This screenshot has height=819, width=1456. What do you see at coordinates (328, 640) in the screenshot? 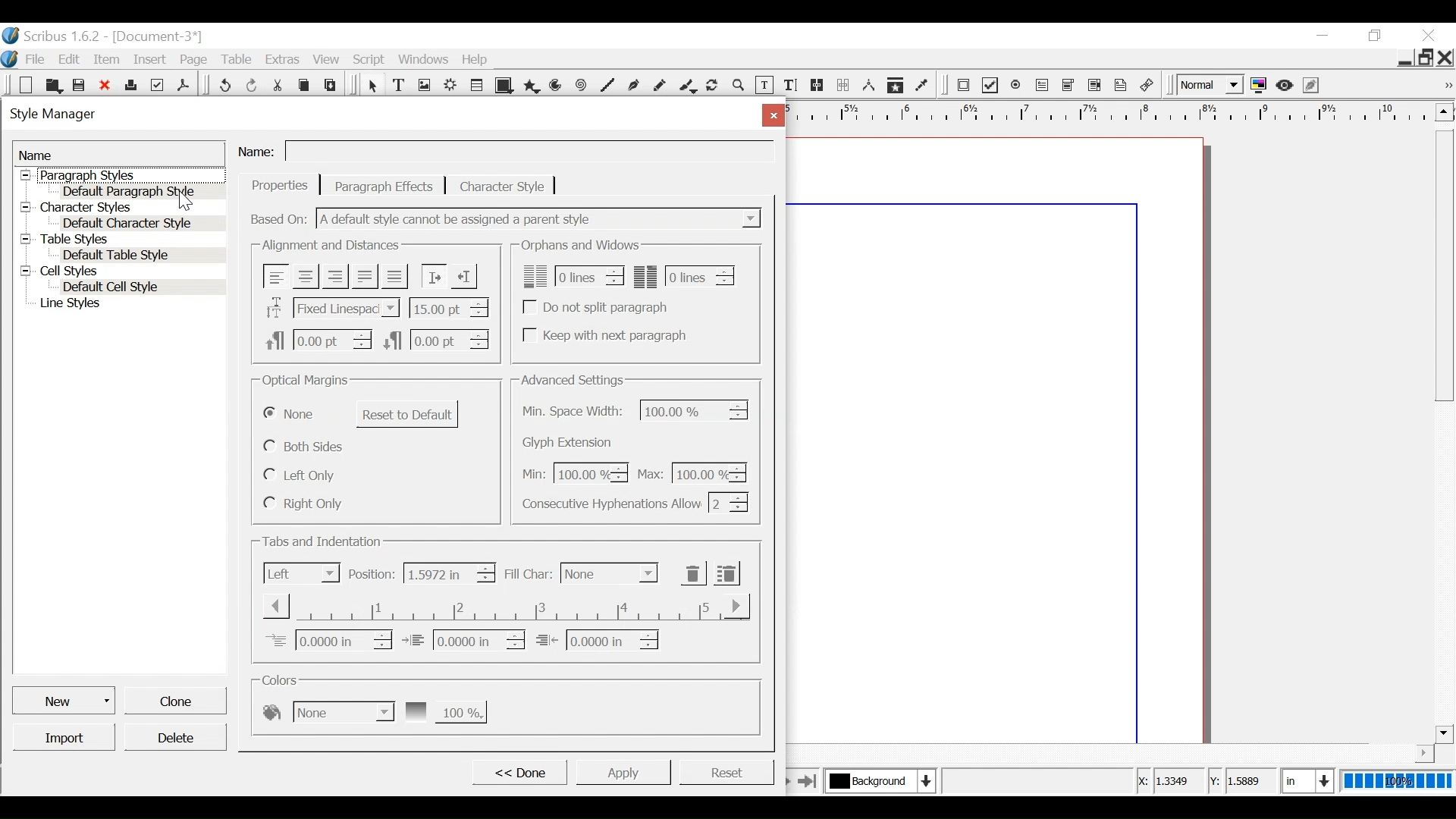
I see `First line Indent` at bounding box center [328, 640].